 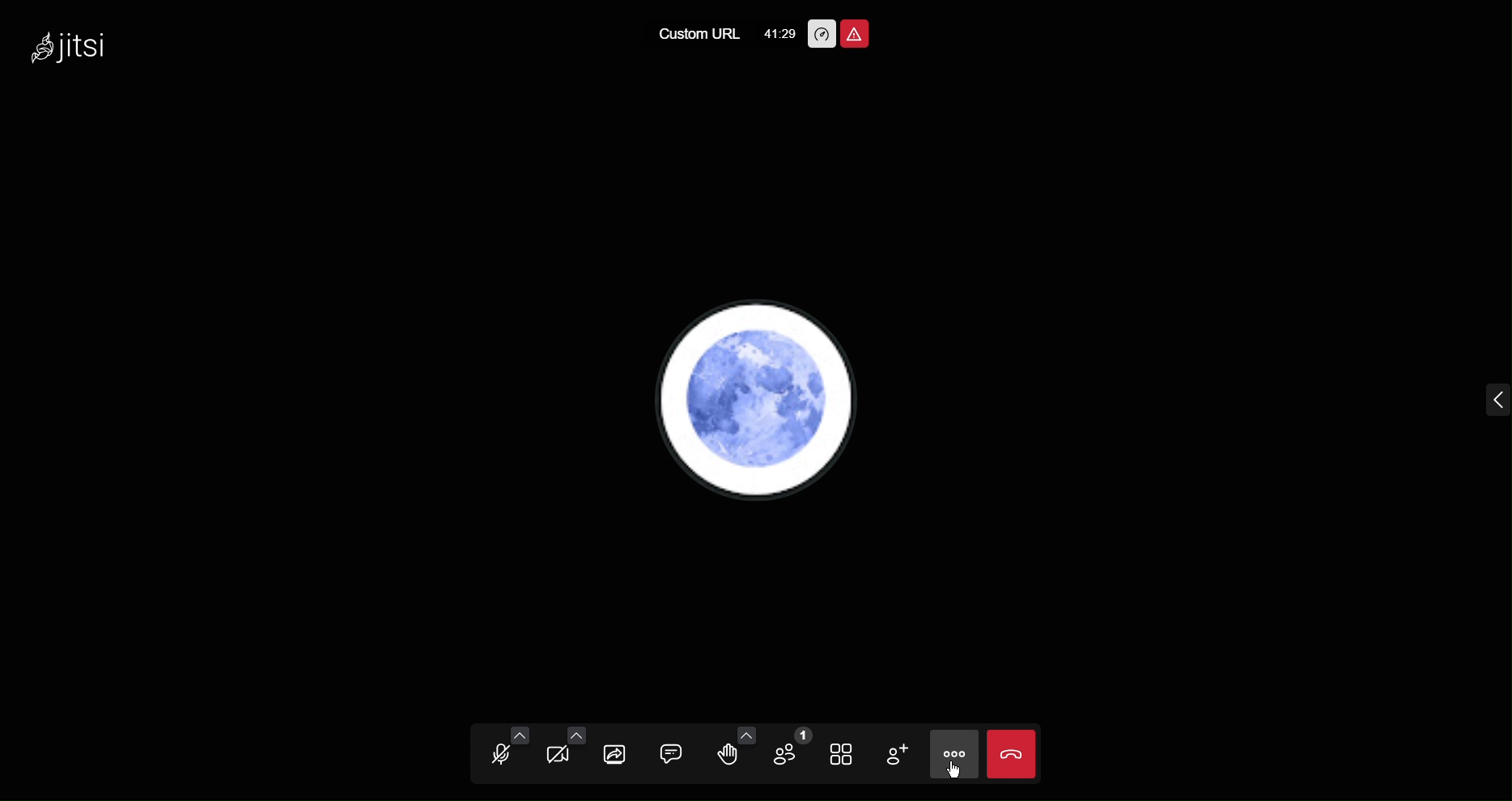 I want to click on Video, so click(x=563, y=752).